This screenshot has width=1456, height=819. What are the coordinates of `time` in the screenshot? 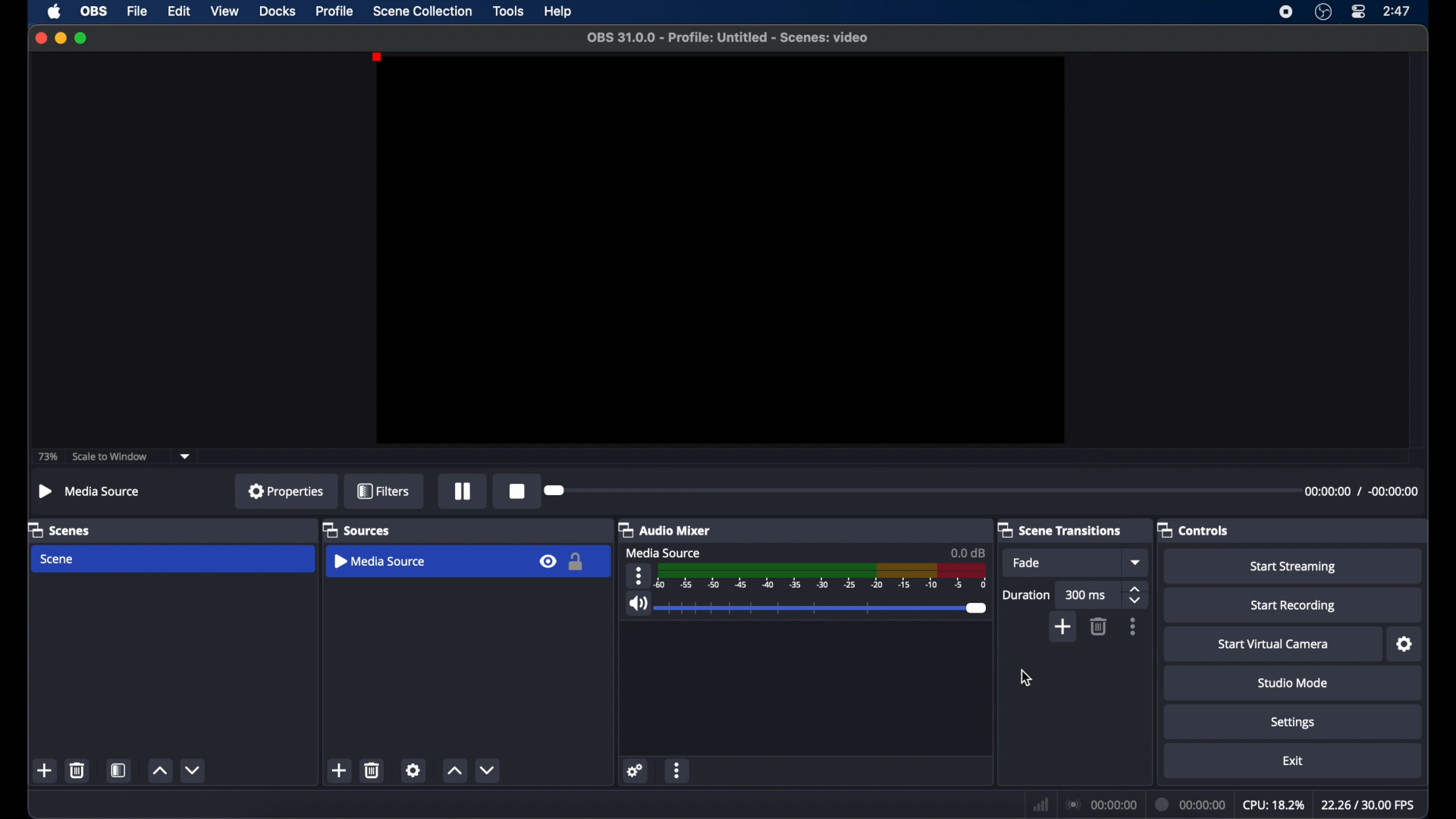 It's located at (1398, 11).